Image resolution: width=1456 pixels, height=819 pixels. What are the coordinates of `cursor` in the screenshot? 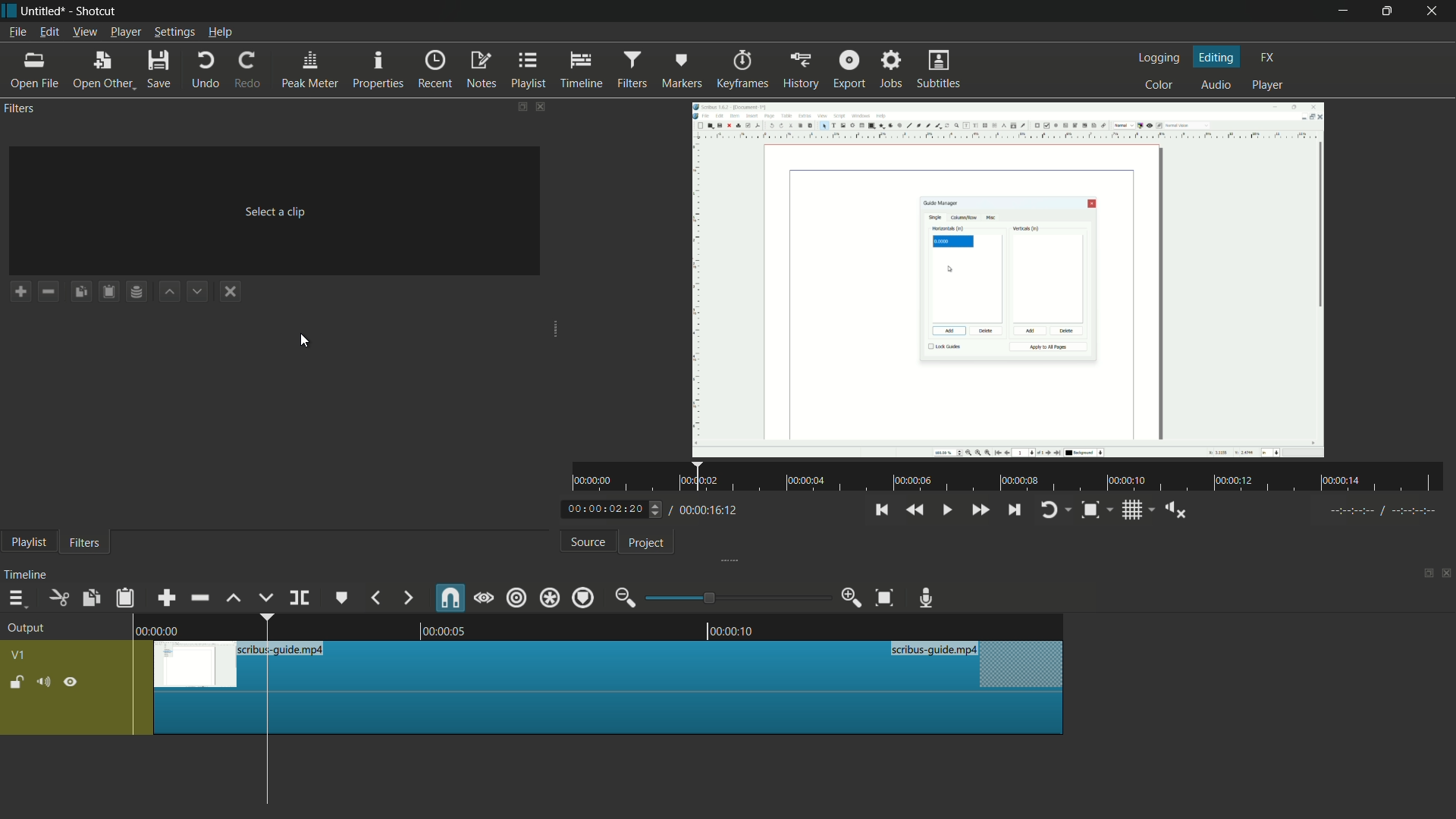 It's located at (303, 340).